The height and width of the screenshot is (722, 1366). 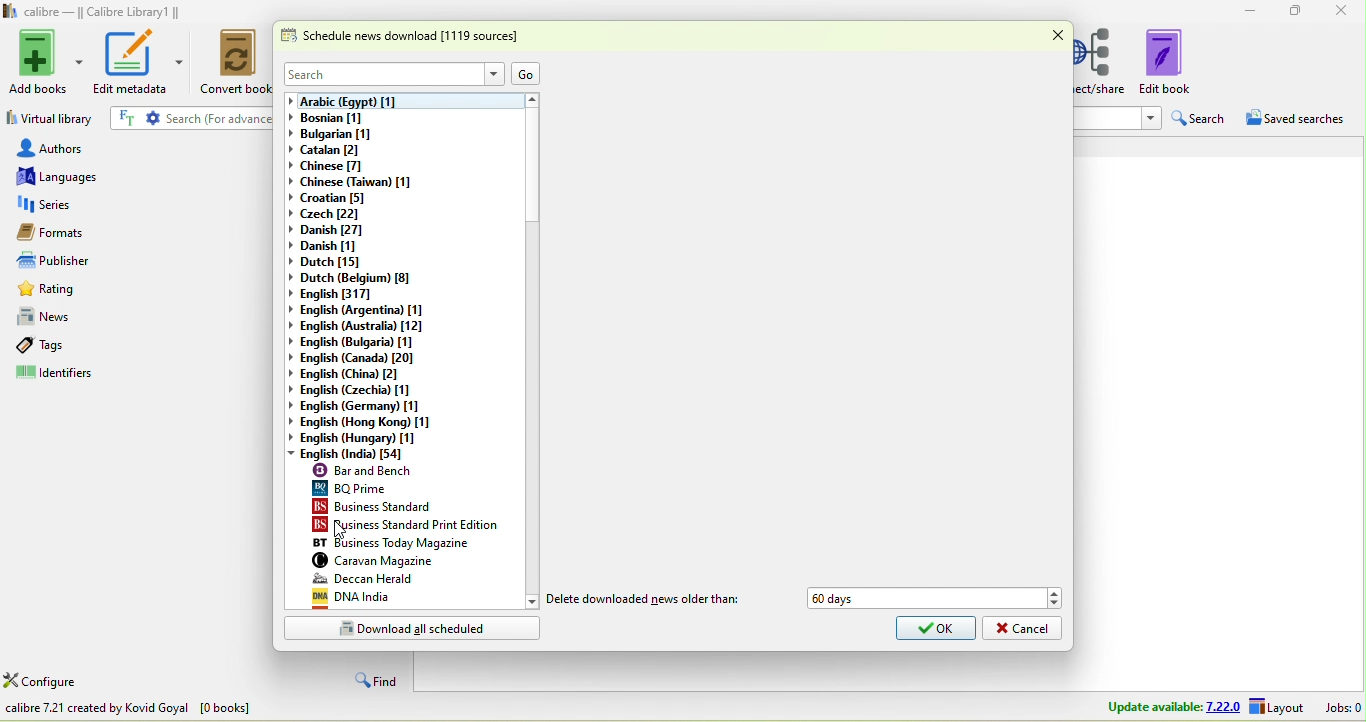 I want to click on configure, so click(x=46, y=680).